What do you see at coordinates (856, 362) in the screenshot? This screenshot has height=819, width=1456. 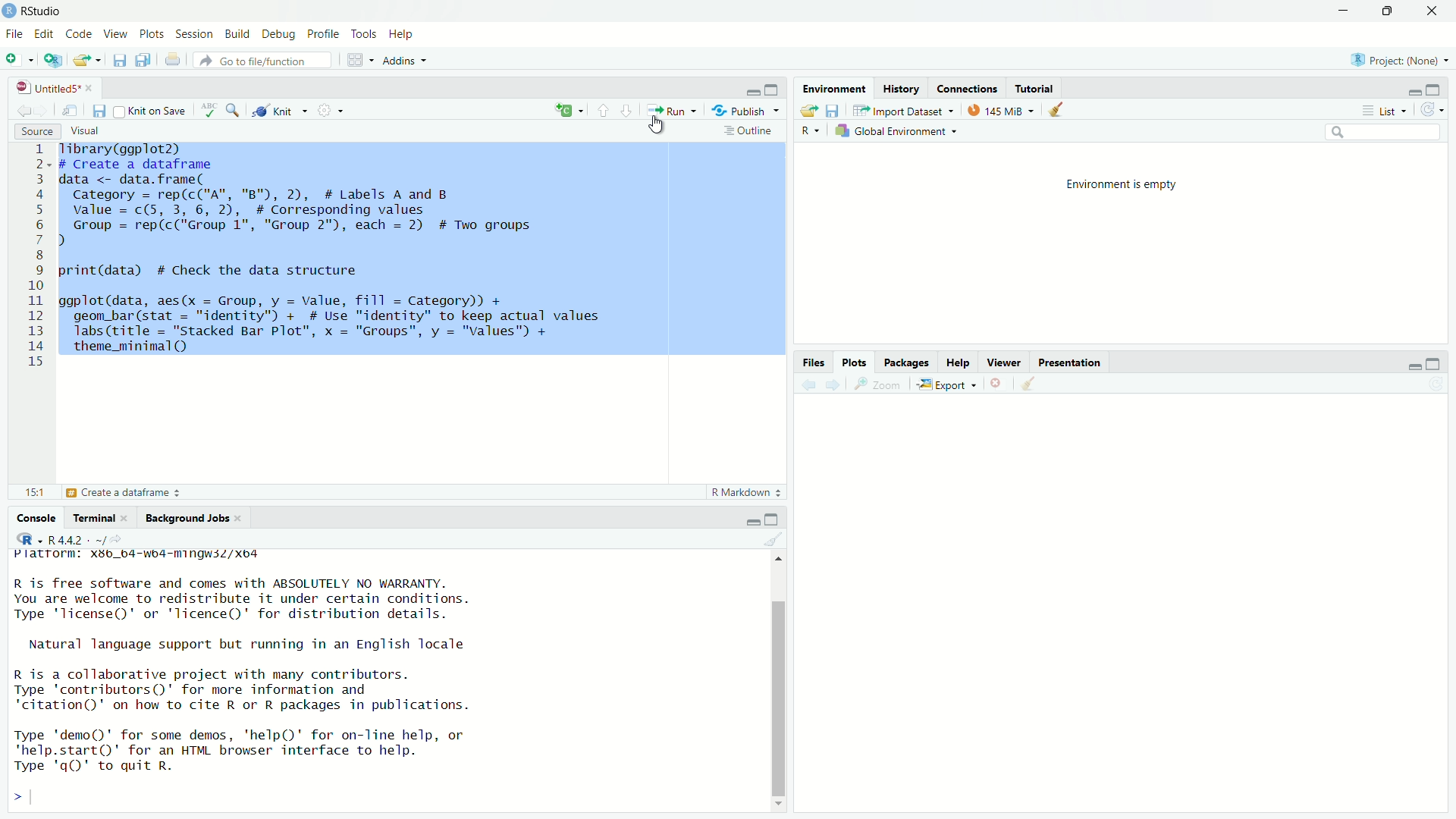 I see `Plots` at bounding box center [856, 362].